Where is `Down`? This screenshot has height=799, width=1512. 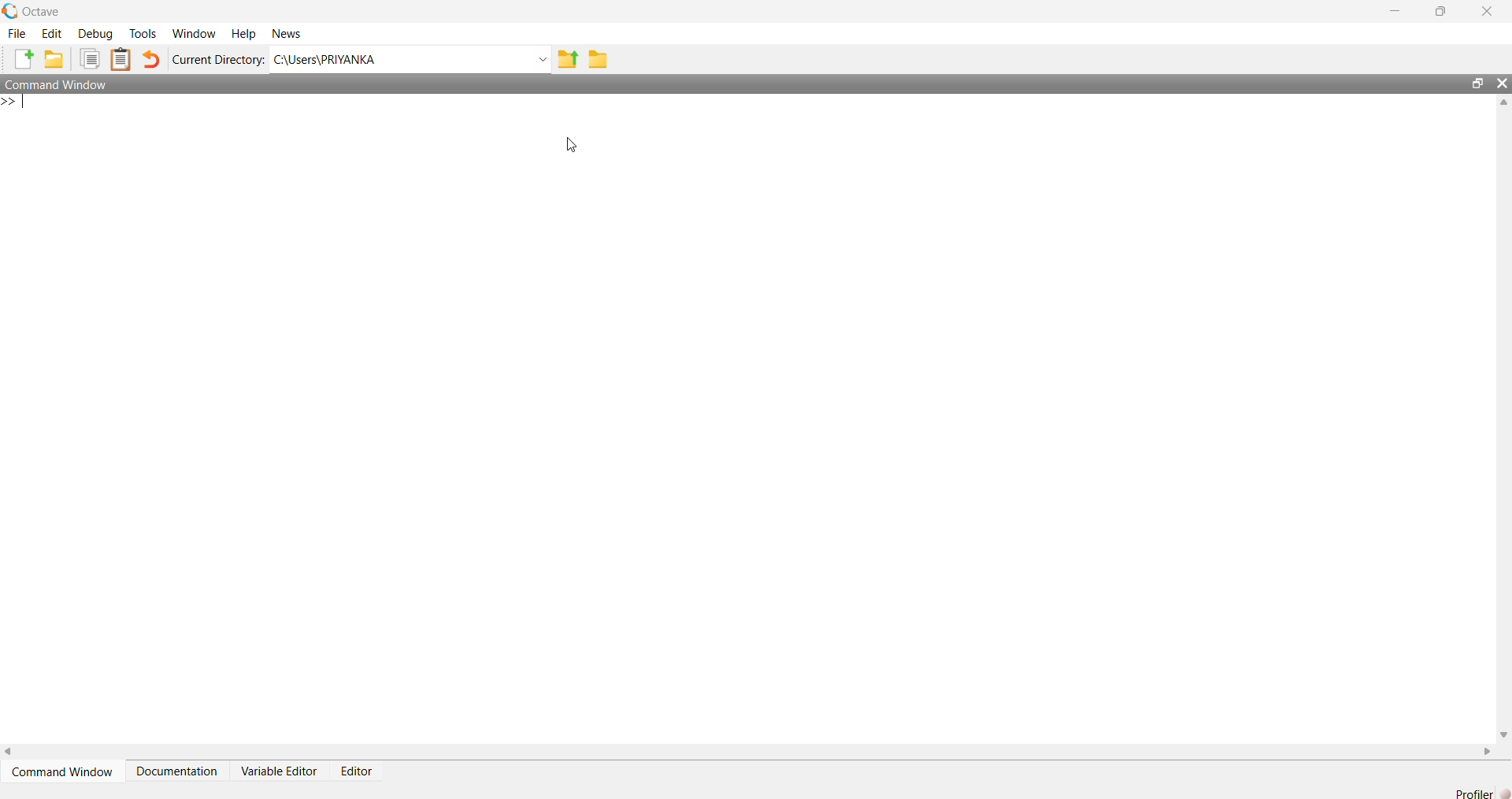
Down is located at coordinates (1503, 728).